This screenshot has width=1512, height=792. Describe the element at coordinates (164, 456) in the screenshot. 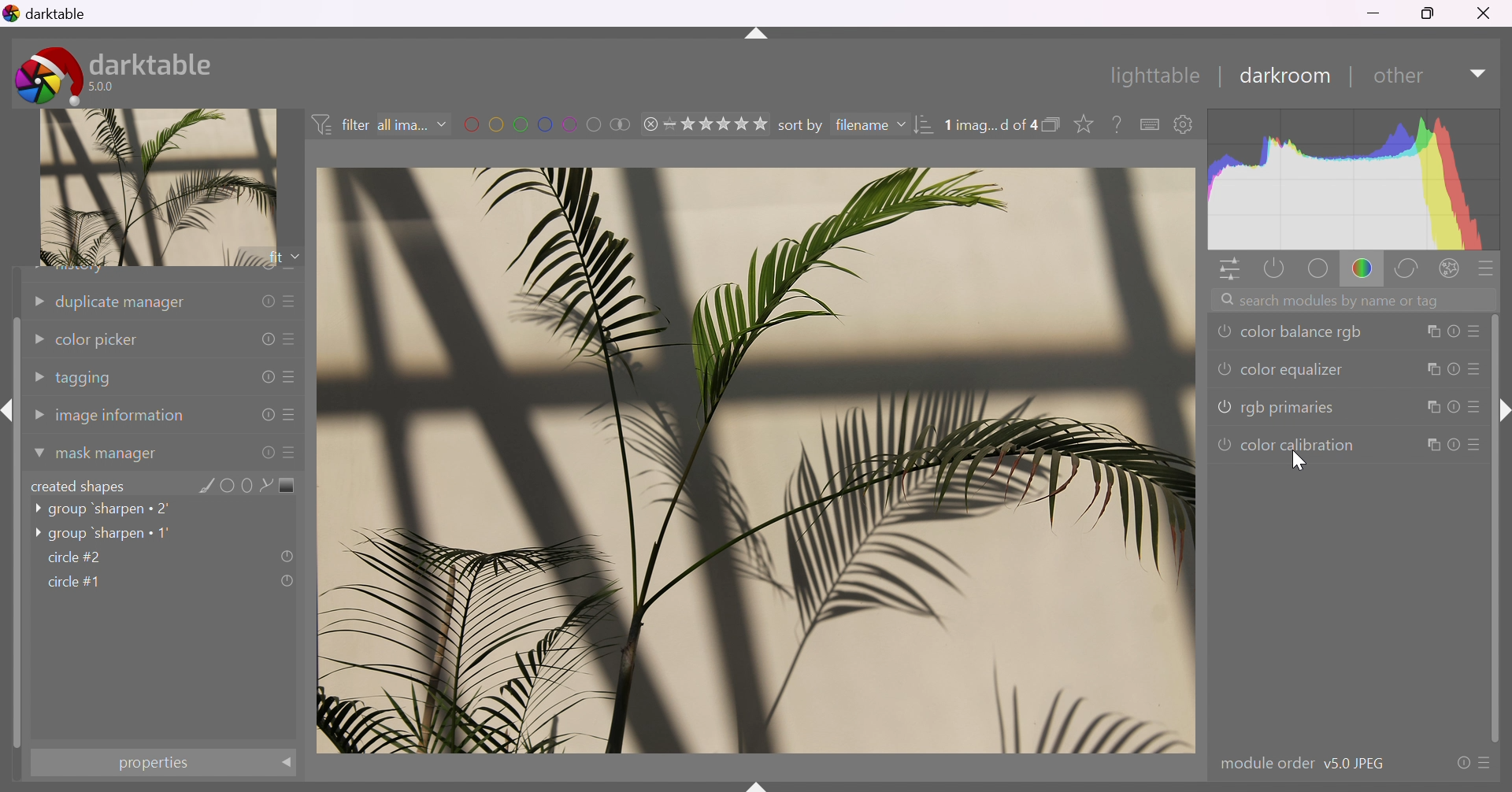

I see `mask manager` at that location.